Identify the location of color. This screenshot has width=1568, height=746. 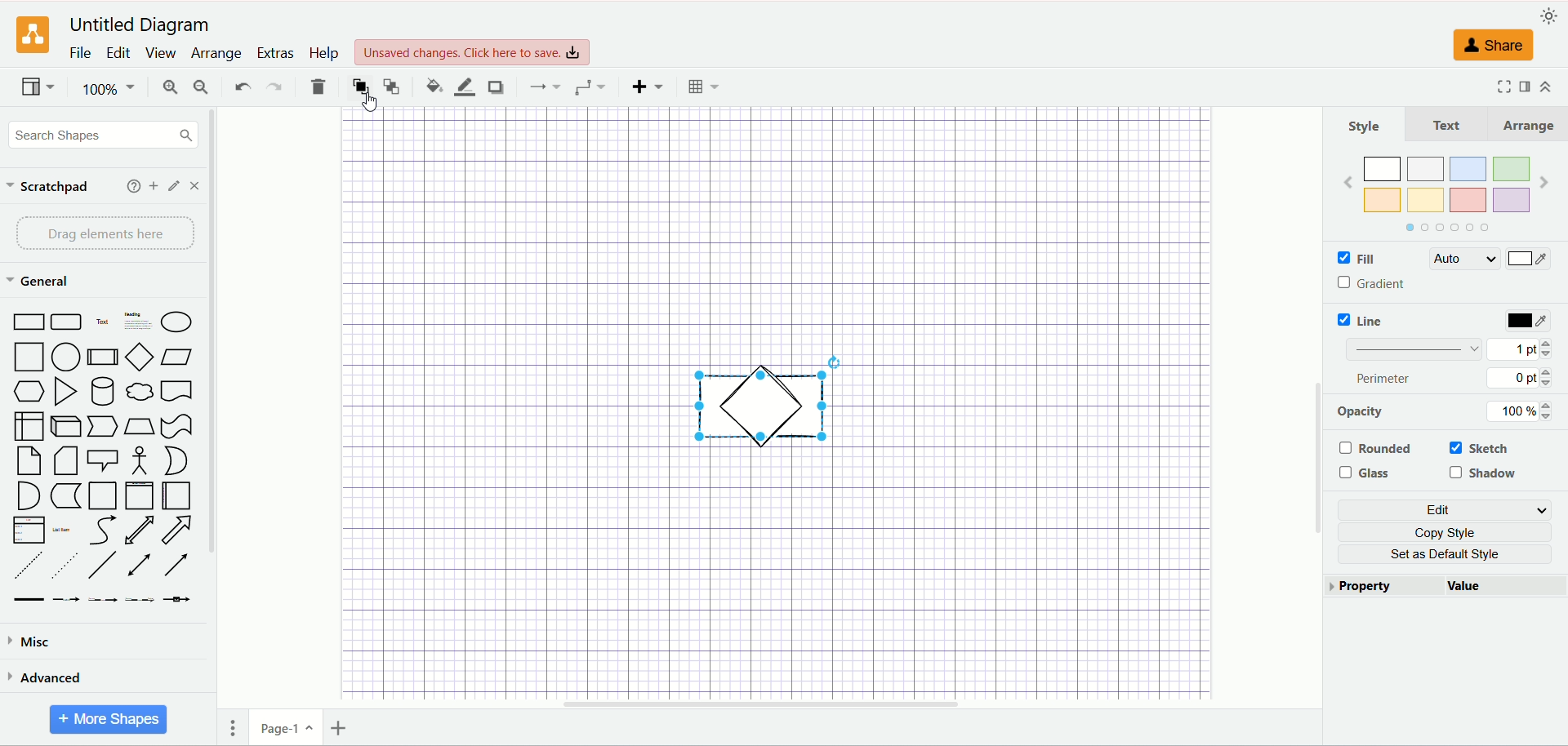
(1528, 260).